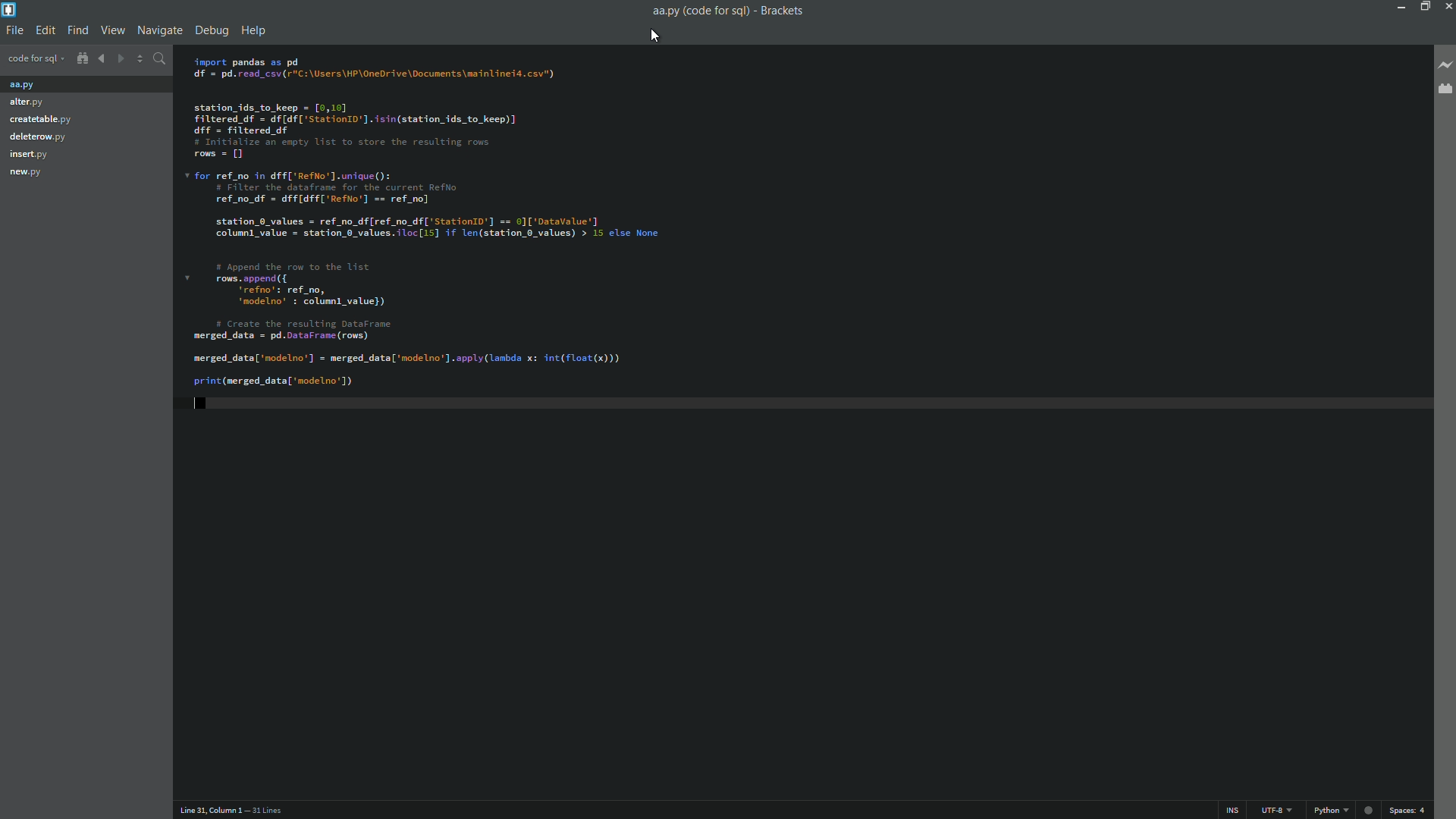  I want to click on circle , so click(1368, 811).